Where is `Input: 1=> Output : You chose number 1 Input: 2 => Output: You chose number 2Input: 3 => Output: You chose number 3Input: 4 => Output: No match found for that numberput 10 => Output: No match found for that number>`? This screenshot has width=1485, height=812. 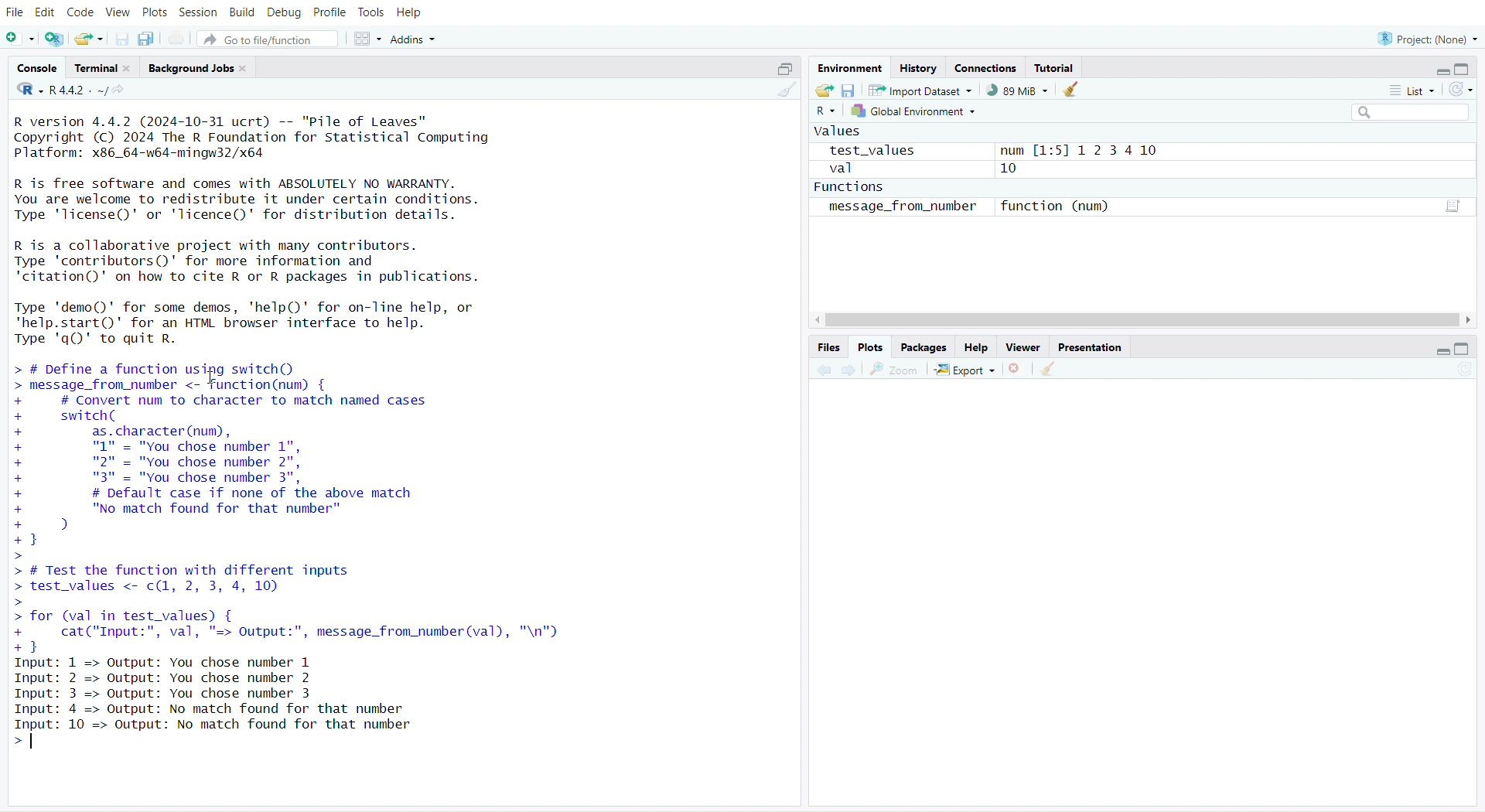
Input: 1=> Output : You chose number 1 Input: 2 => Output: You chose number 2Input: 3 => Output: You chose number 3Input: 4 => Output: No match found for that numberput 10 => Output: No match found for that number> is located at coordinates (207, 709).